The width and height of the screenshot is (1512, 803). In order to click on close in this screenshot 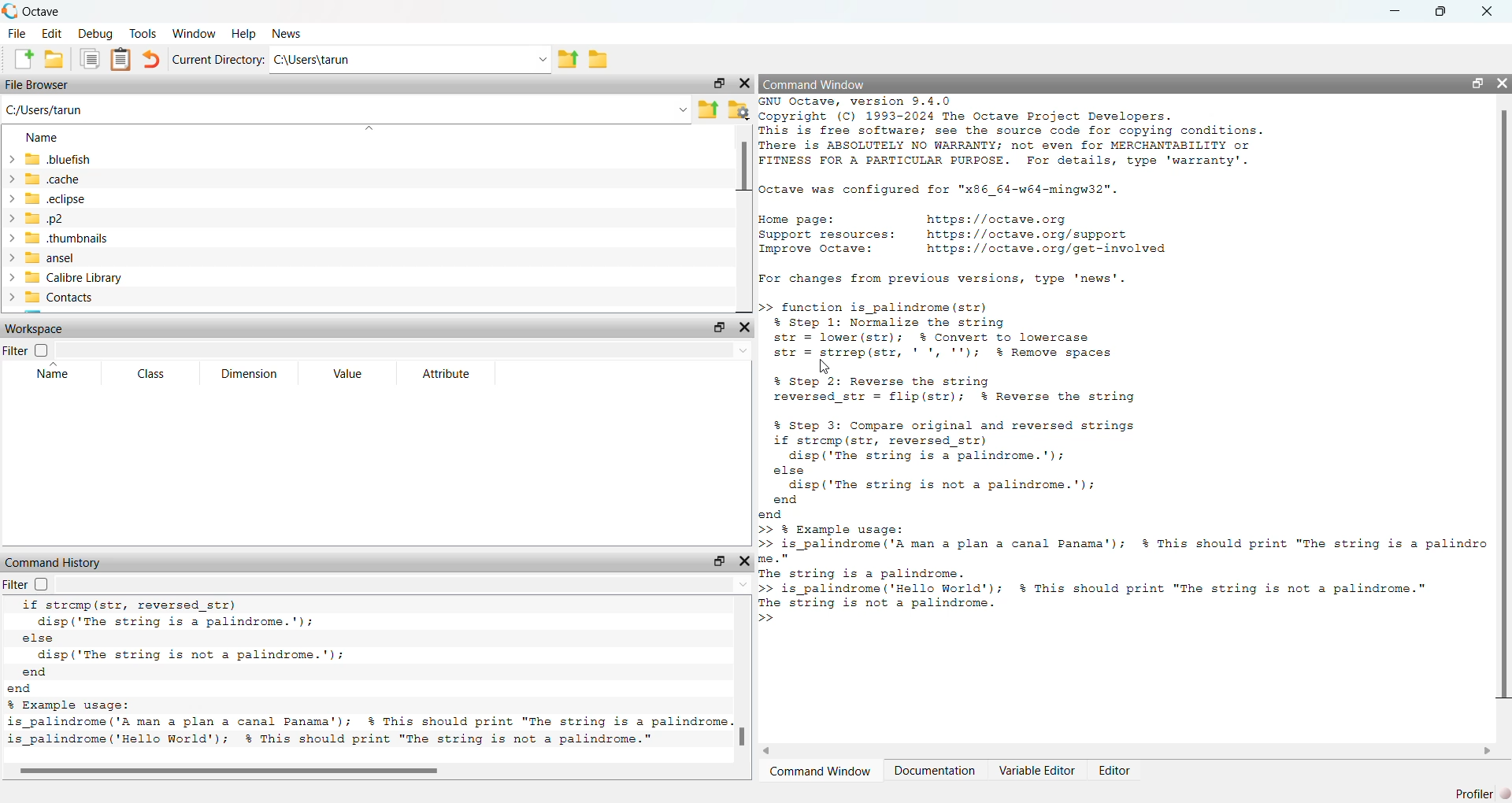, I will do `click(1495, 9)`.